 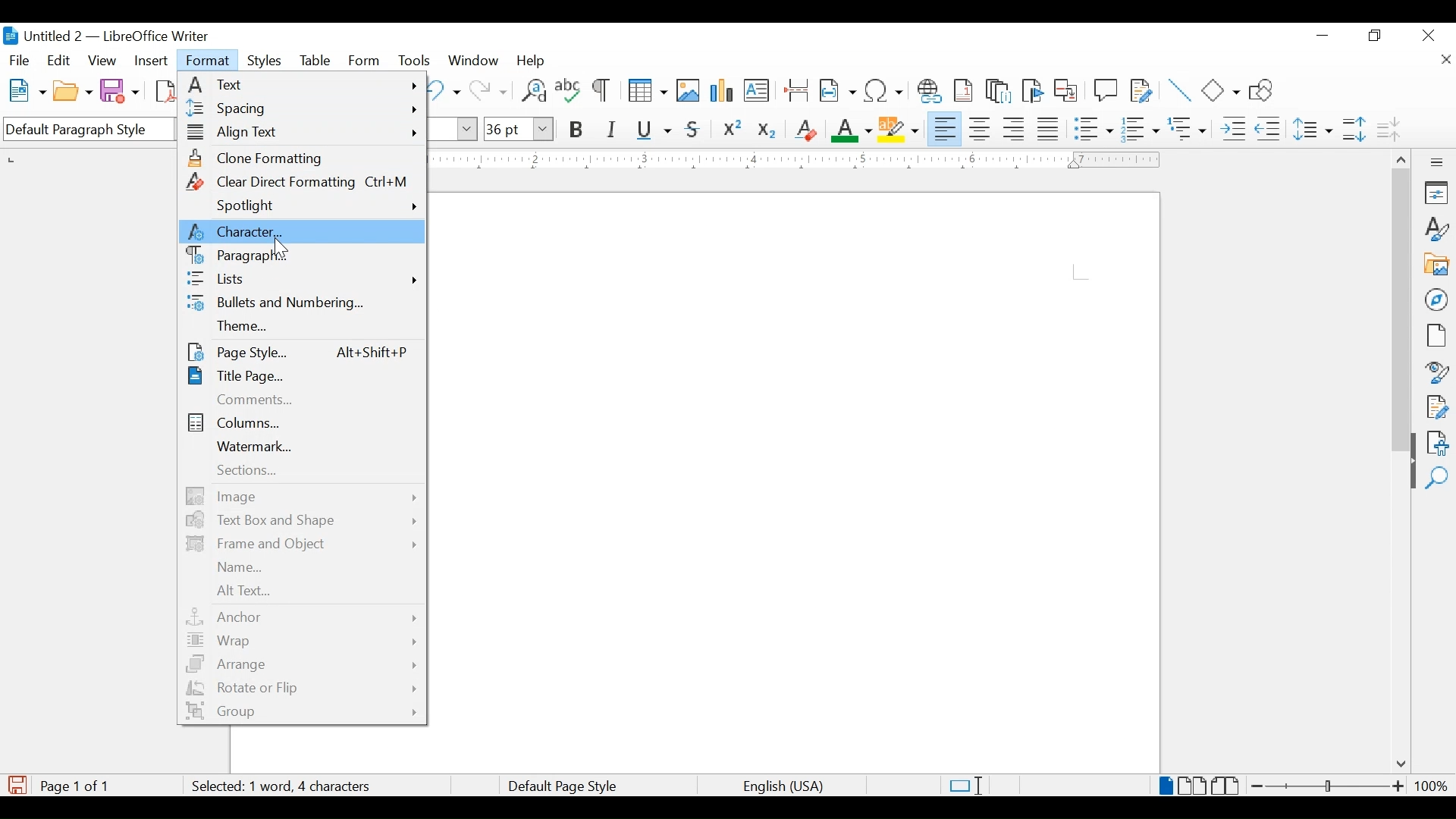 What do you see at coordinates (1407, 475) in the screenshot?
I see `drag handle` at bounding box center [1407, 475].